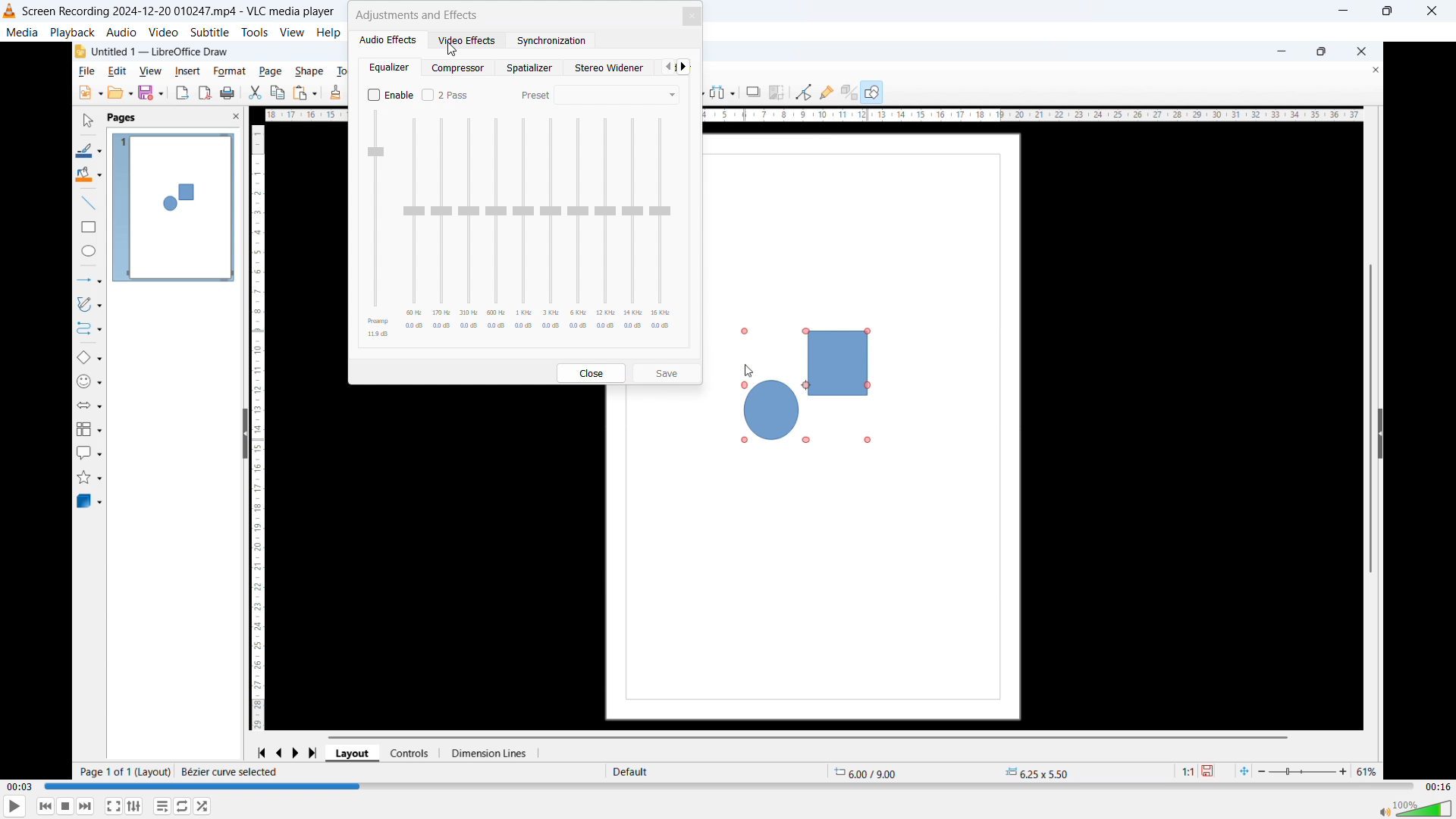 The width and height of the screenshot is (1456, 819). What do you see at coordinates (728, 785) in the screenshot?
I see `Time bar ` at bounding box center [728, 785].